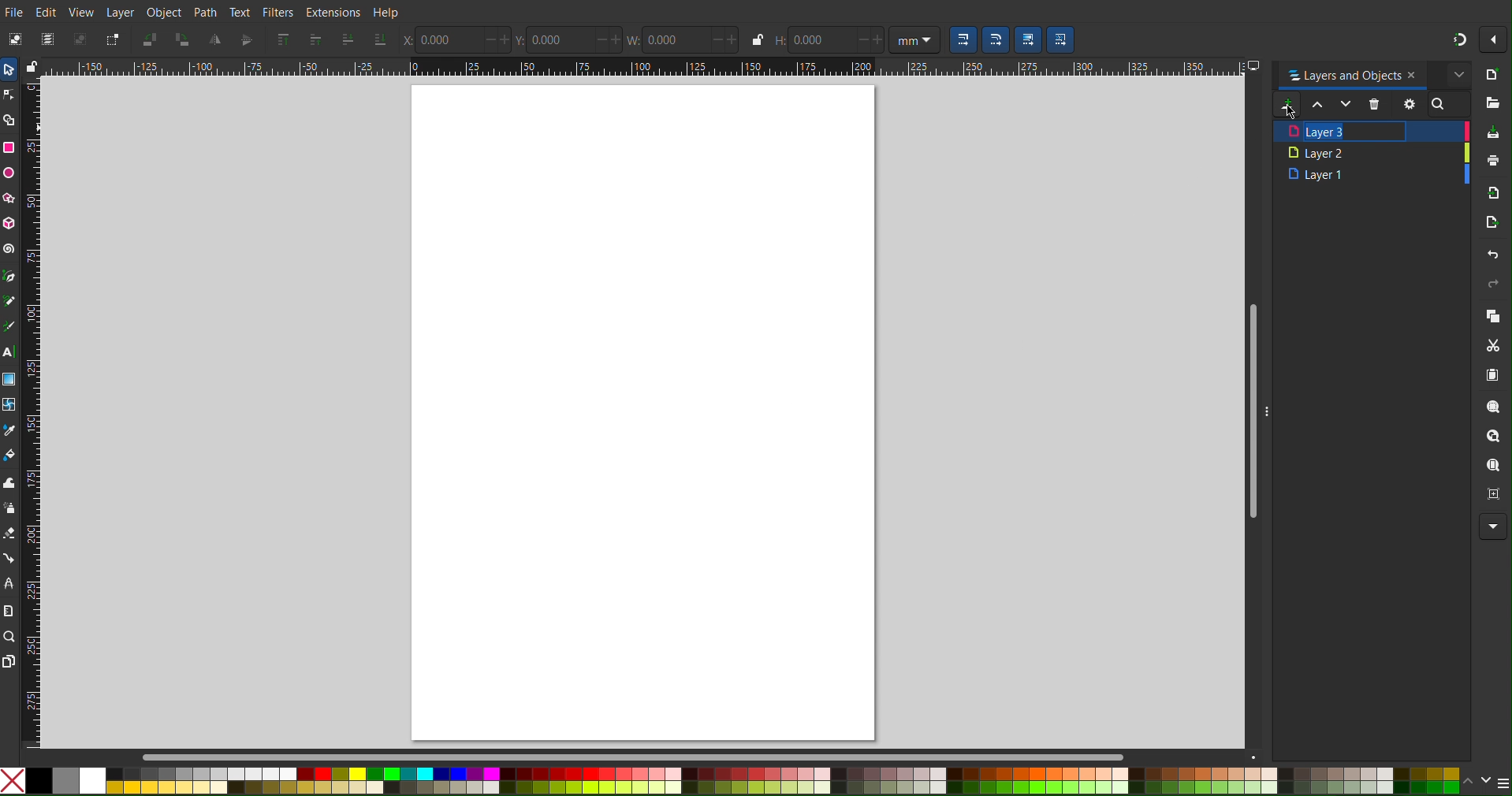 This screenshot has height=796, width=1512. I want to click on Spray Tool, so click(11, 509).